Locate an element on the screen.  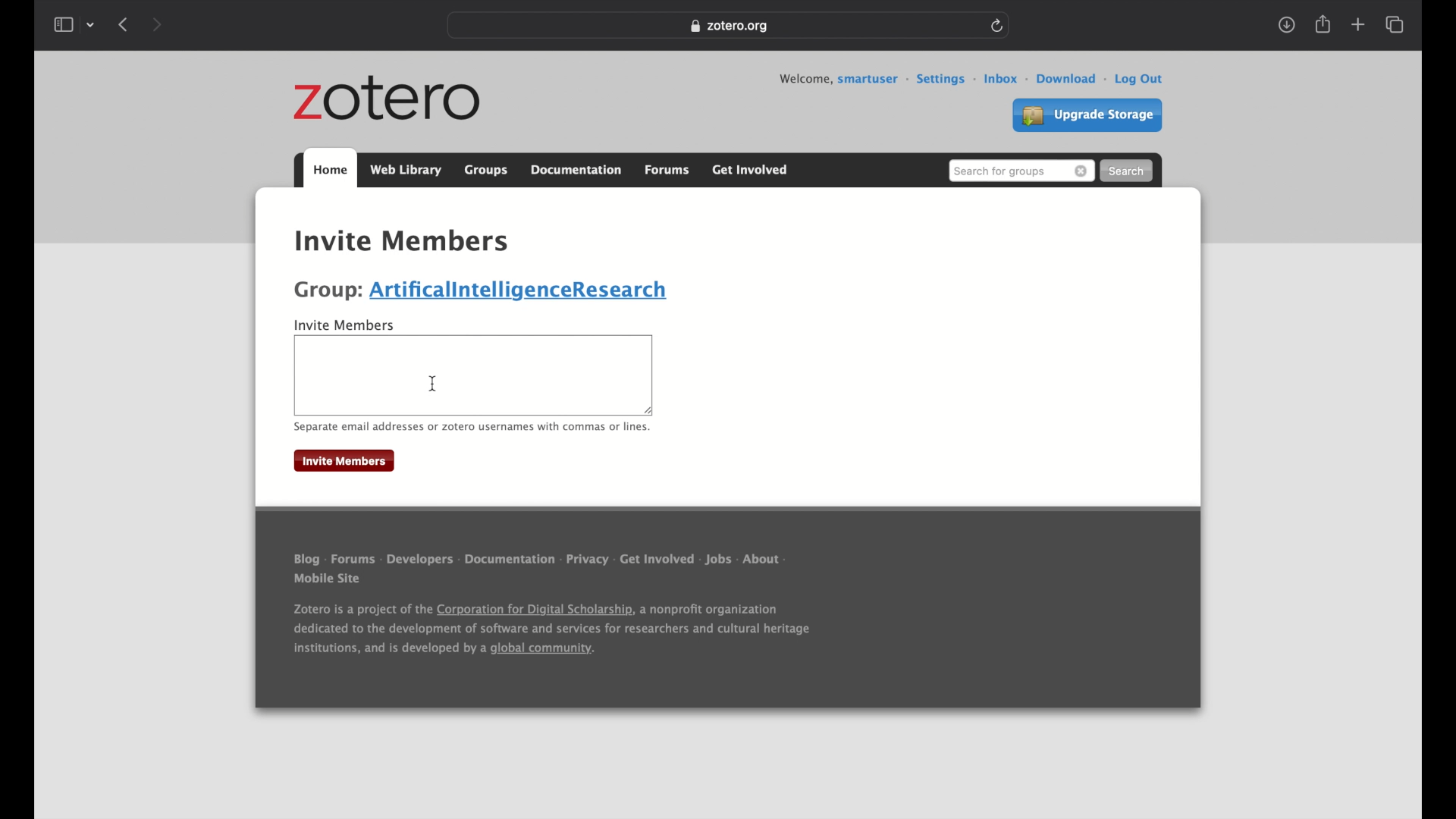
textbox boundary is located at coordinates (473, 413).